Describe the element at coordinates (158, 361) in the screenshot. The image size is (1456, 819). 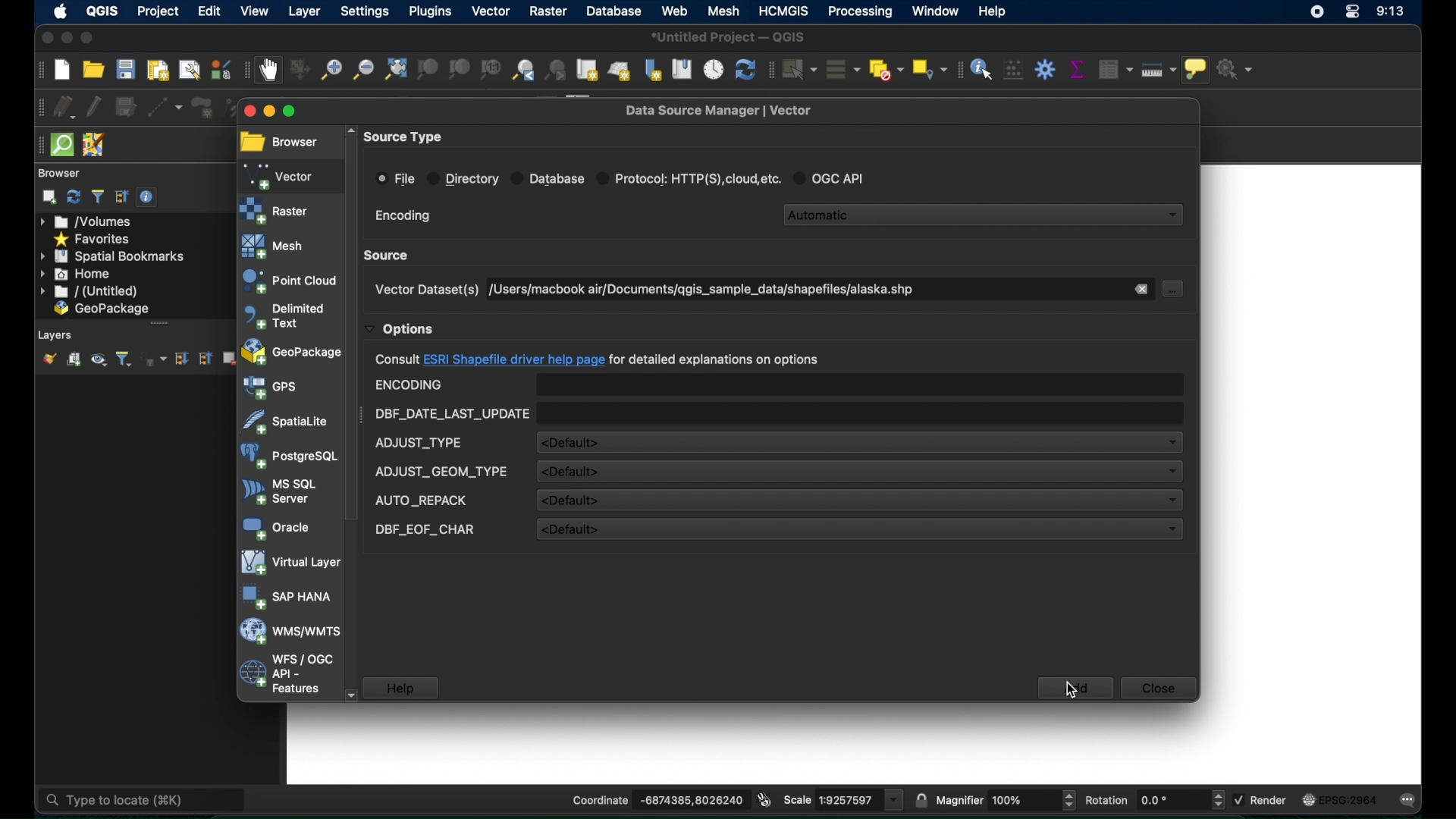
I see `filter legend by expression` at that location.